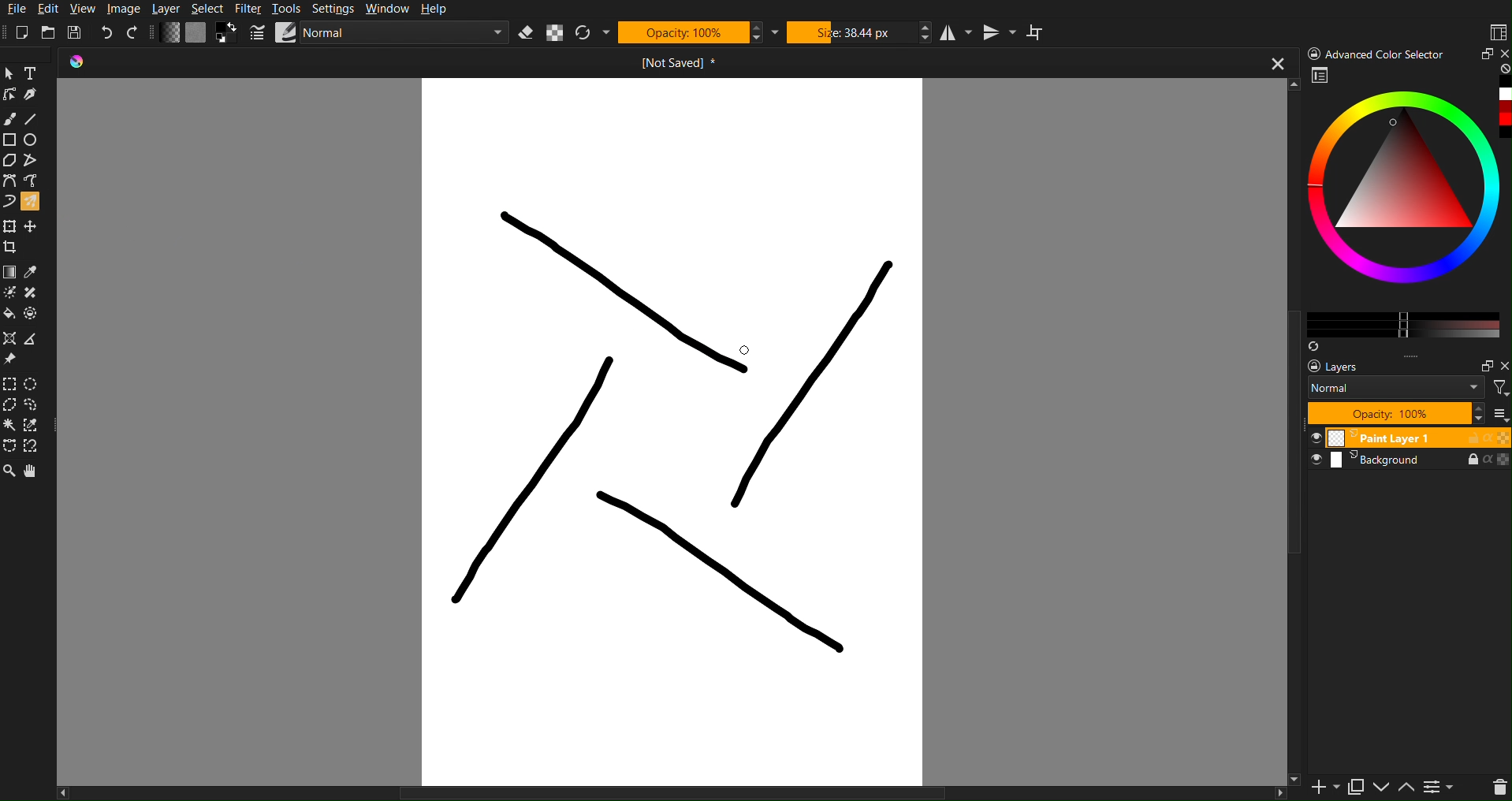  I want to click on Size, so click(858, 32).